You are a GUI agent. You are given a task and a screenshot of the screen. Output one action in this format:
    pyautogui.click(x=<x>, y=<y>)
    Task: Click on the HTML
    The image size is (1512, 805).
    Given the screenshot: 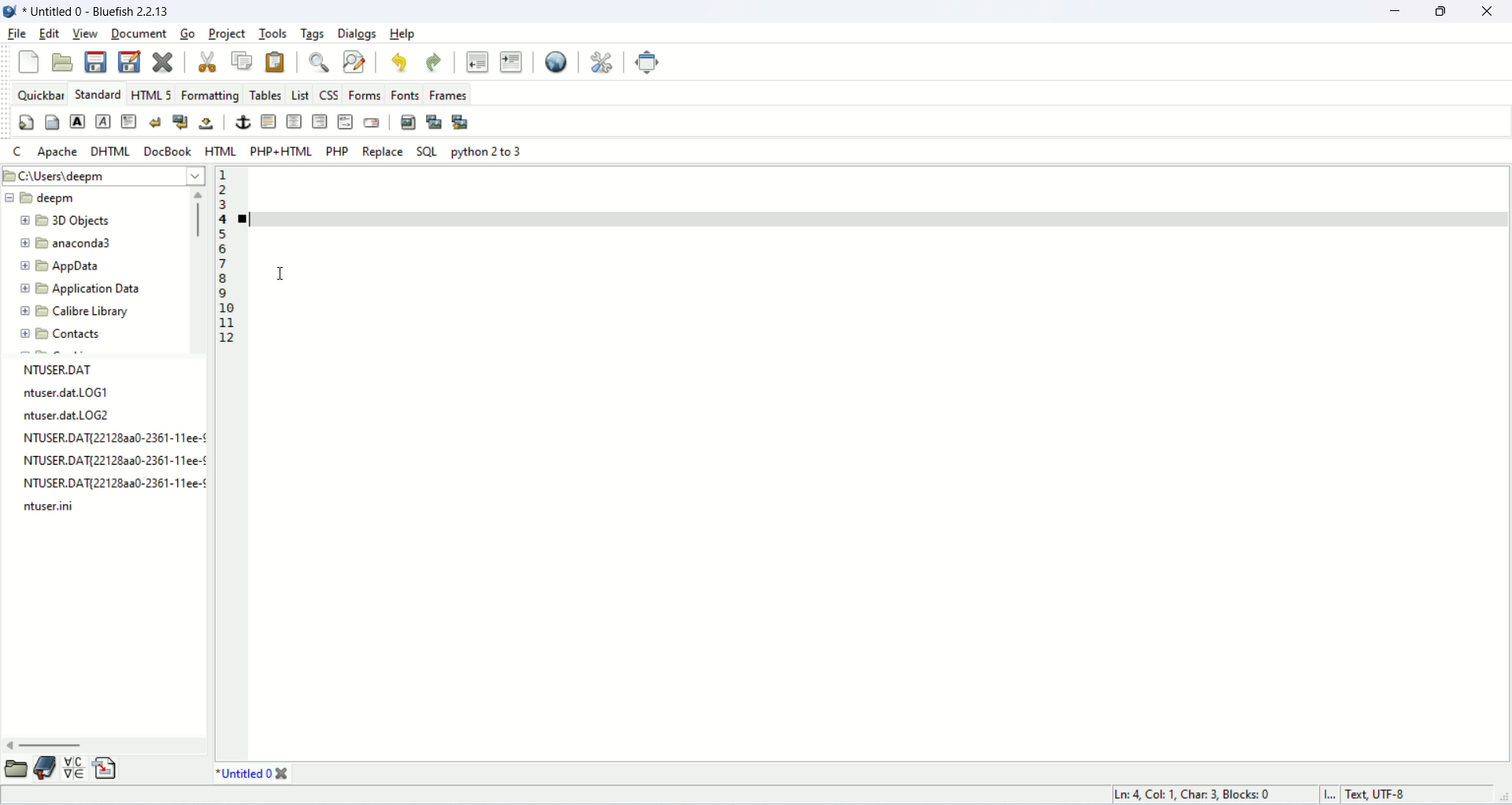 What is the action you would take?
    pyautogui.click(x=220, y=151)
    